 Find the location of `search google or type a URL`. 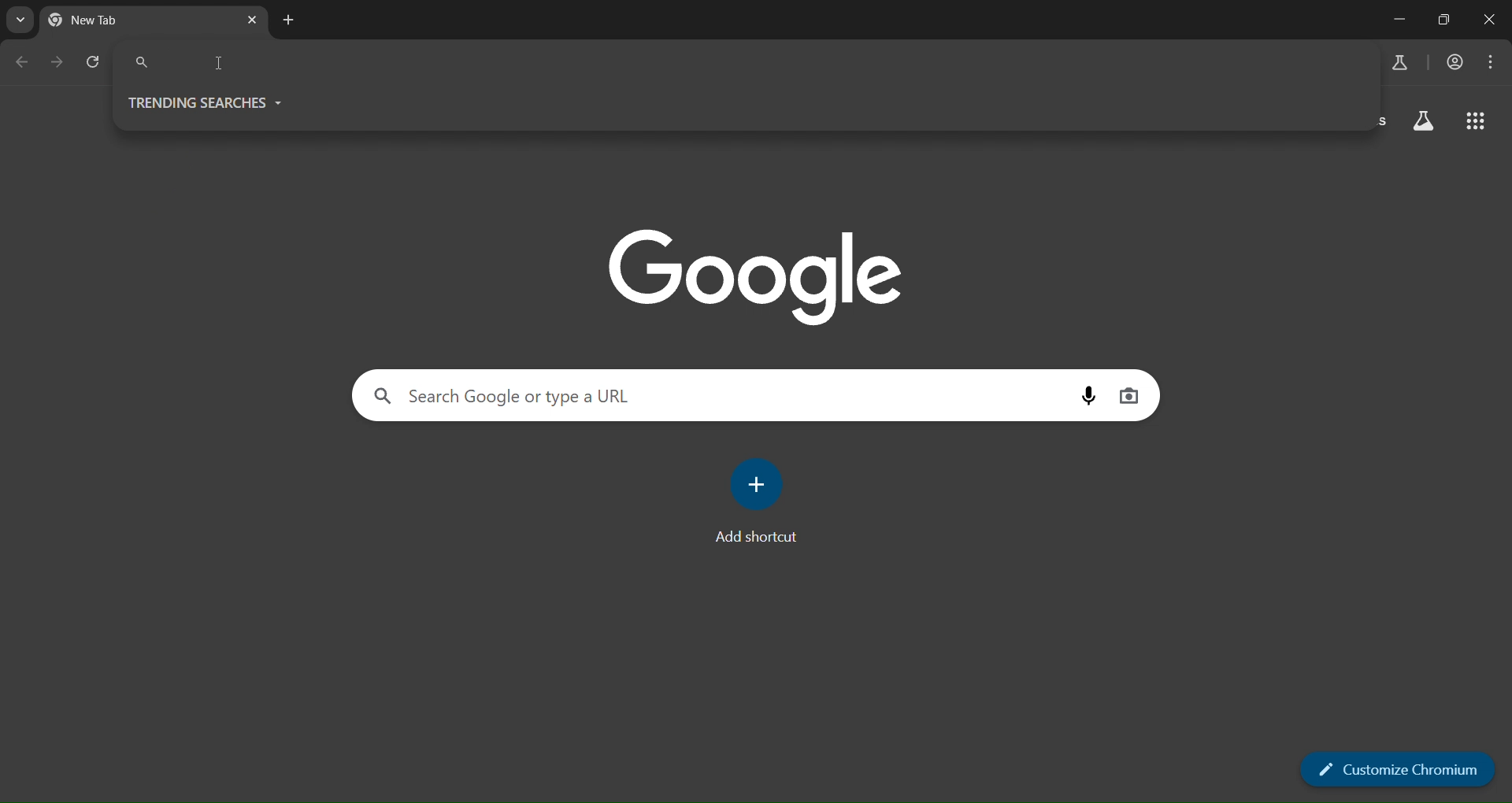

search google or type a URL is located at coordinates (747, 63).